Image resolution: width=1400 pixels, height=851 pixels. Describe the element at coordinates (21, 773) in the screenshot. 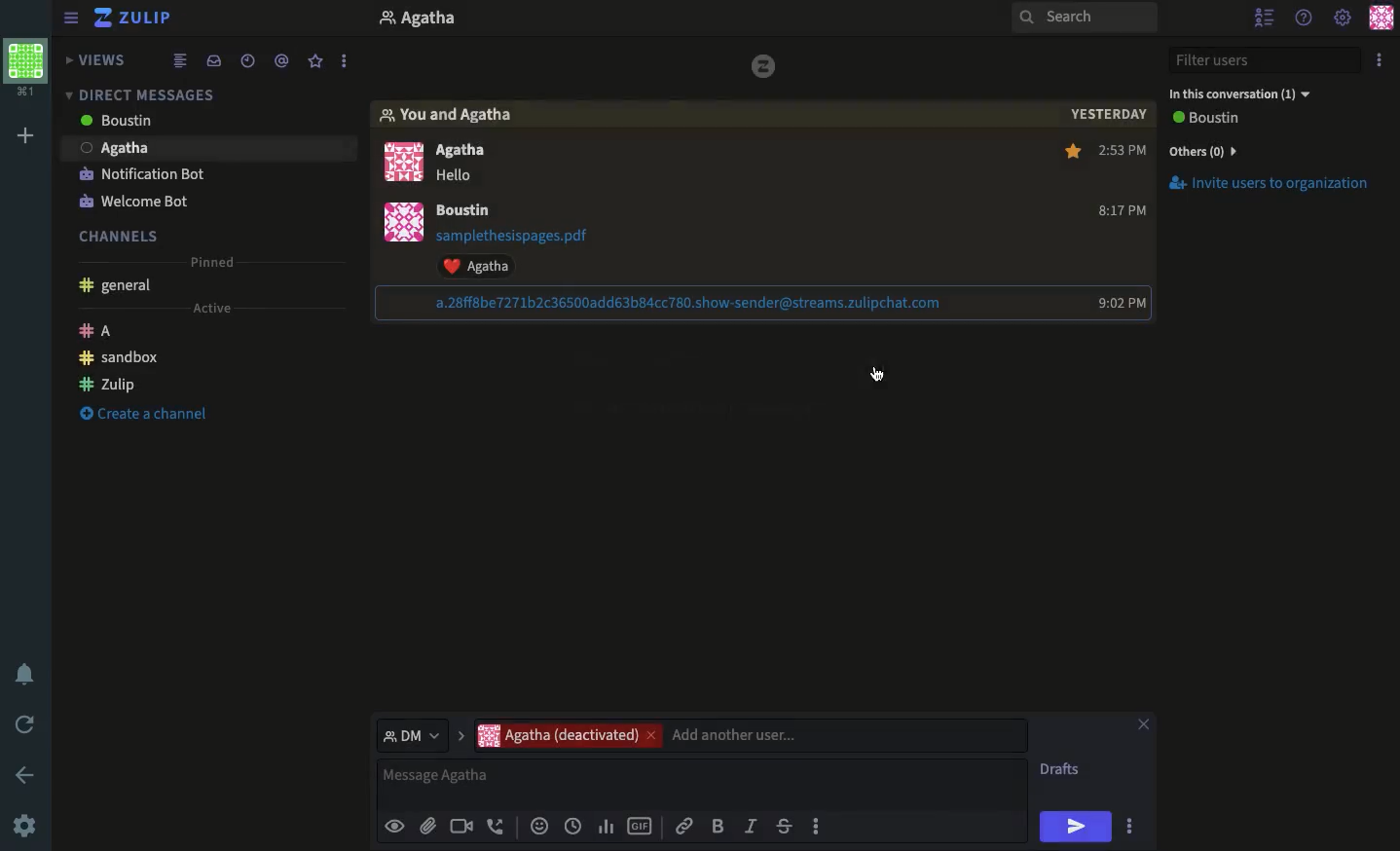

I see `Back` at that location.